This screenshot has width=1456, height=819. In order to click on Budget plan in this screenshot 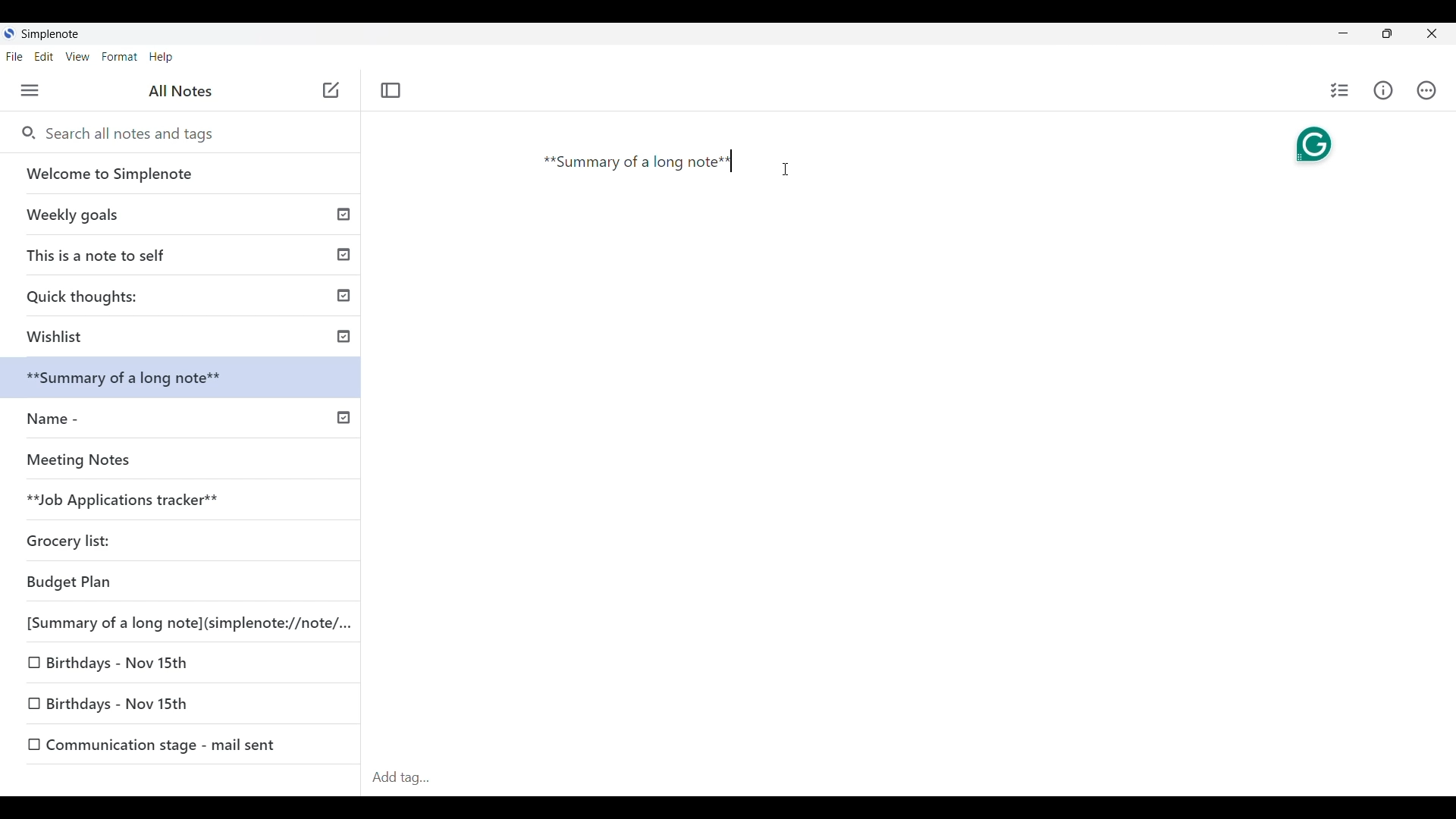, I will do `click(127, 579)`.